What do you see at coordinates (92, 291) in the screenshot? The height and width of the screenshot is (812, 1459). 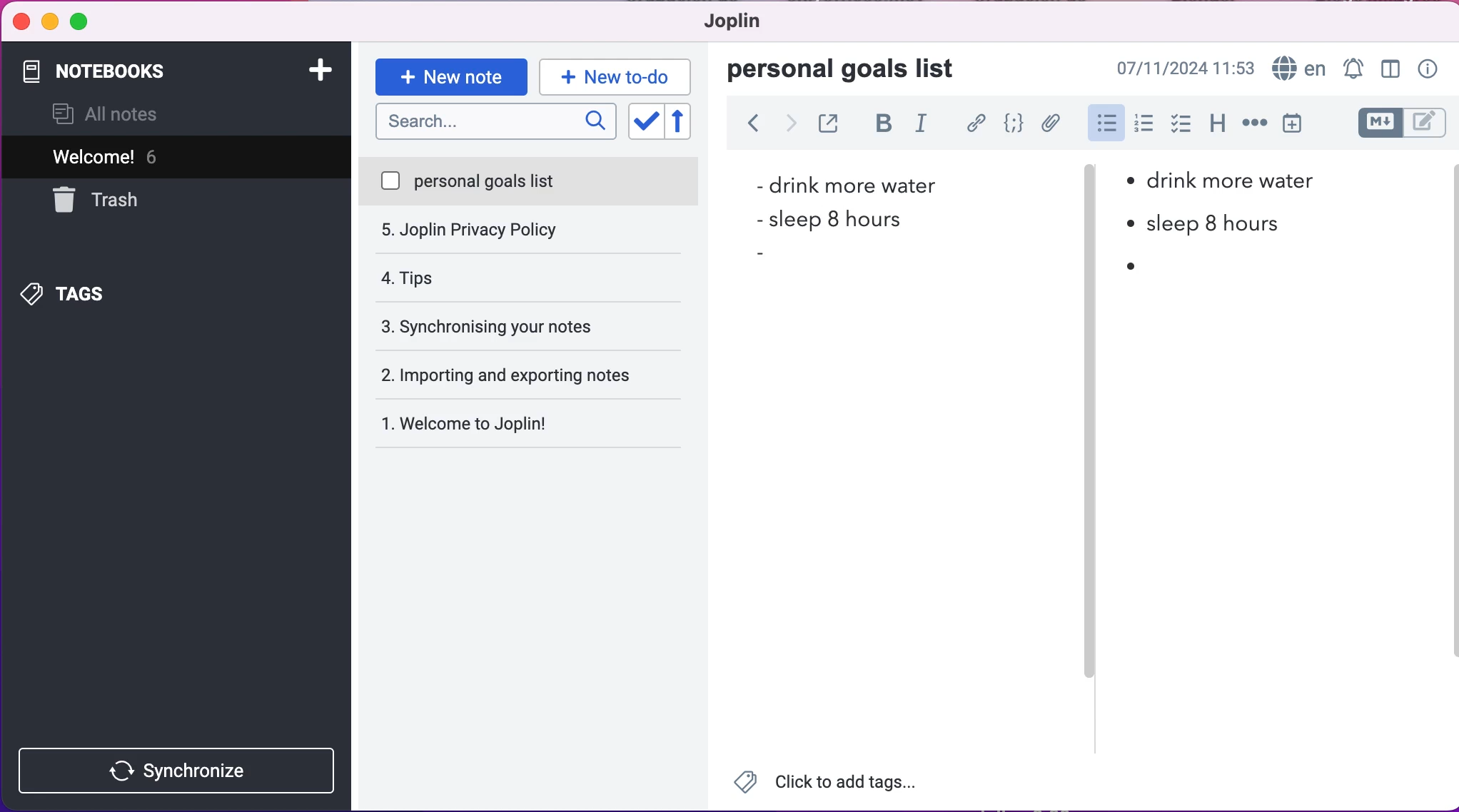 I see `tags` at bounding box center [92, 291].